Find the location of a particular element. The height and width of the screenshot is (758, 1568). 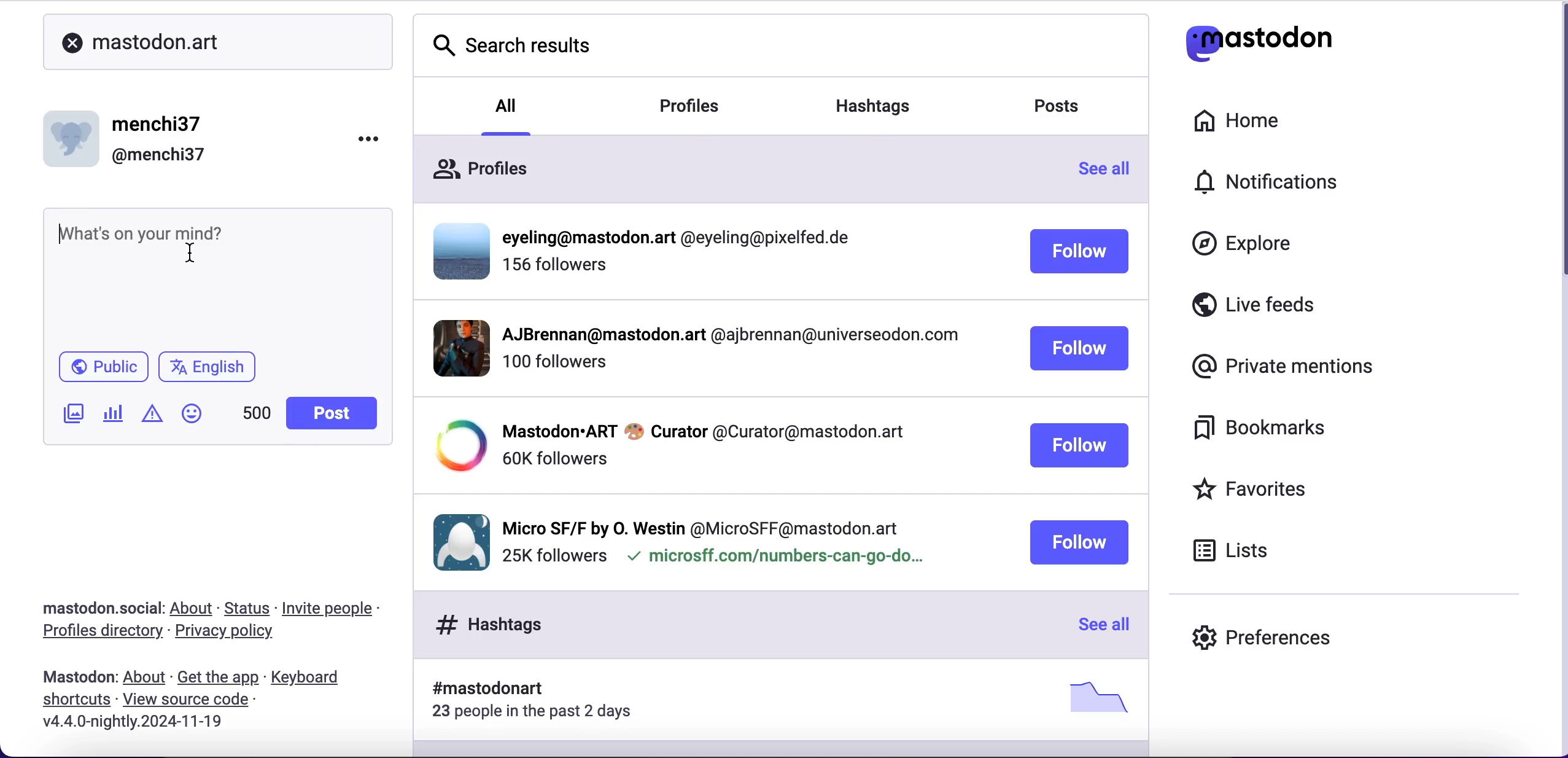

2024-11-19 is located at coordinates (152, 724).